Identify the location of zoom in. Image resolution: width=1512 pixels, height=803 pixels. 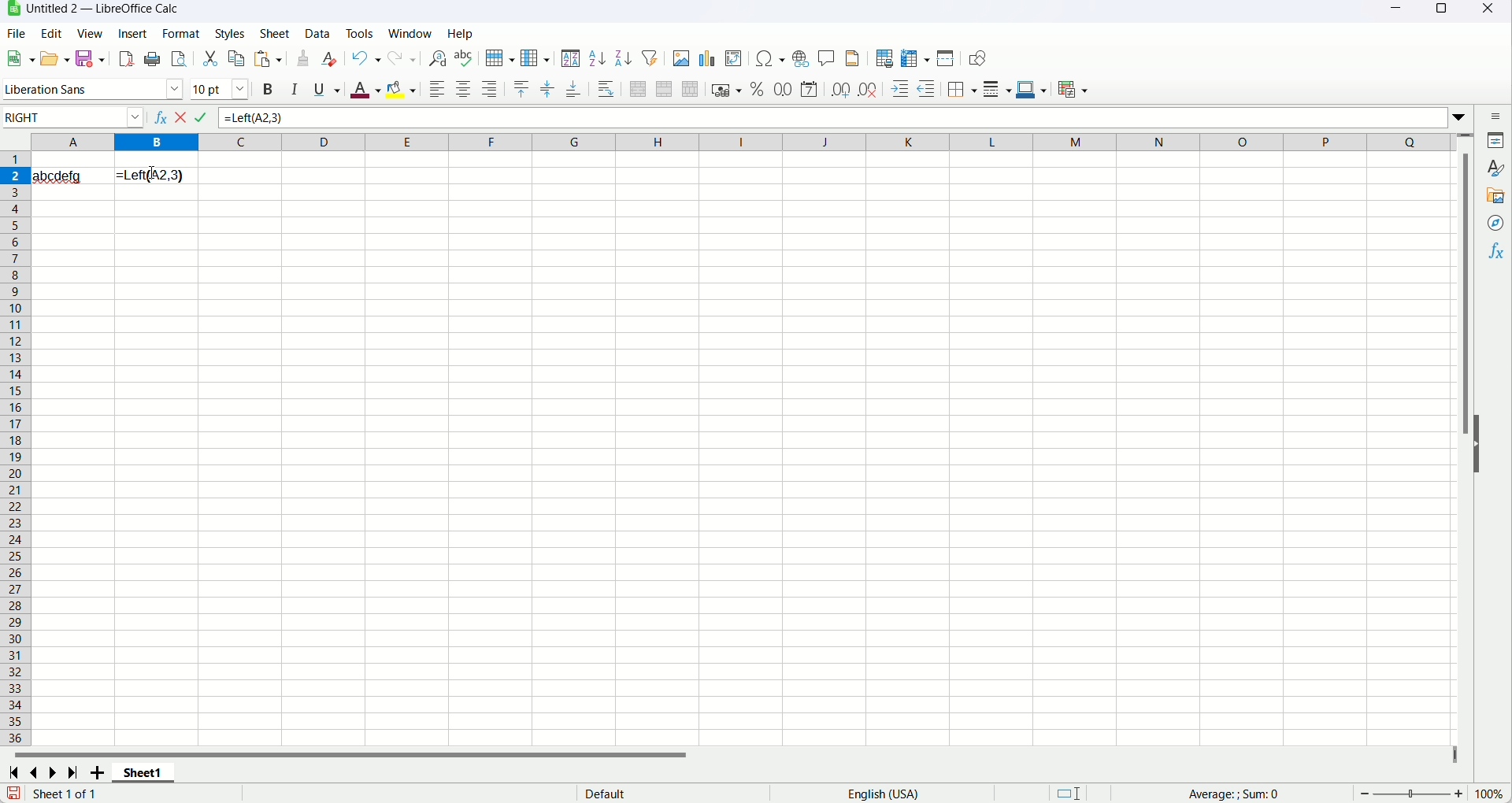
(1459, 794).